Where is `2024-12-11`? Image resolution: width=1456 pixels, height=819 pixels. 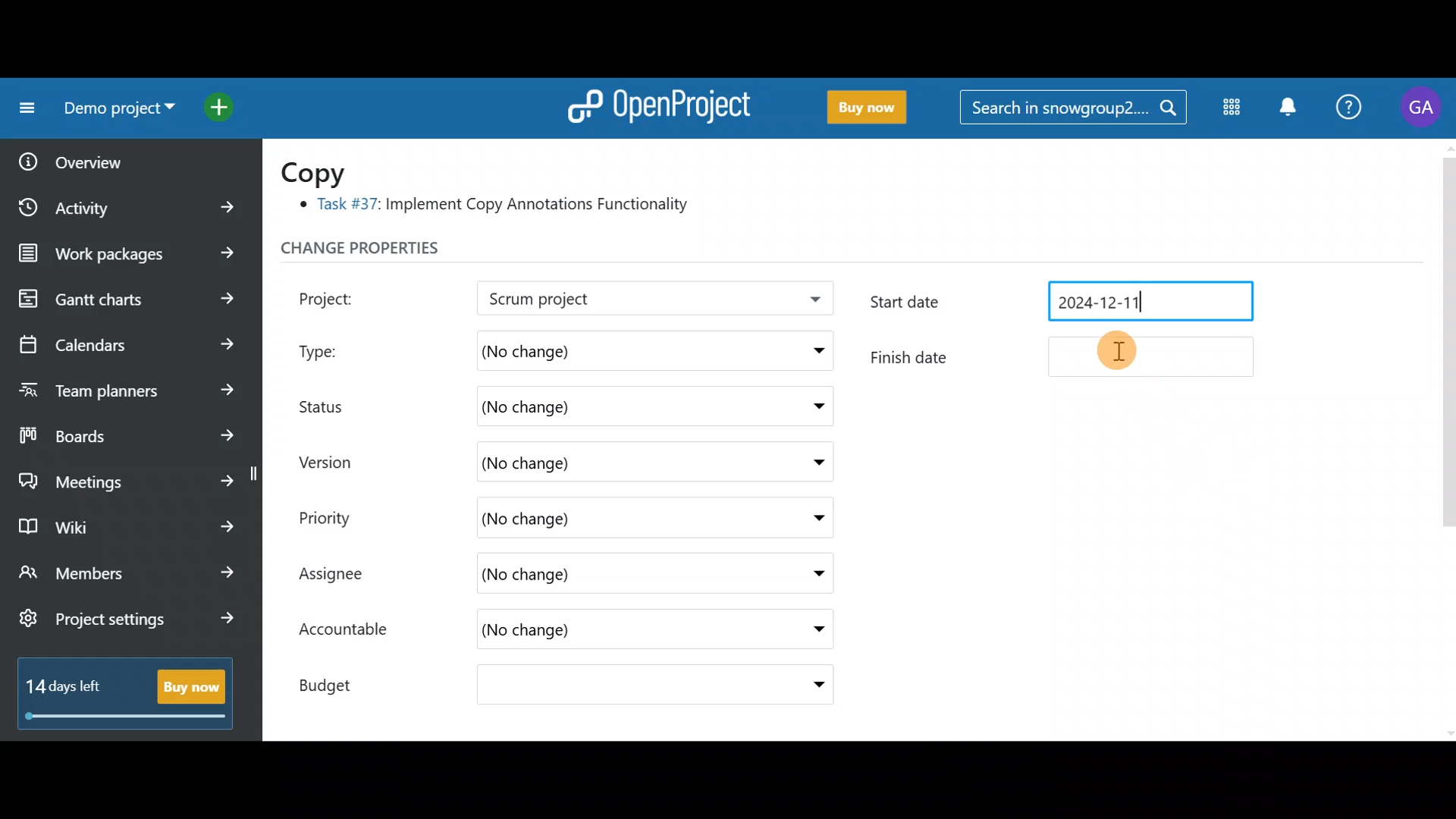
2024-12-11 is located at coordinates (1143, 299).